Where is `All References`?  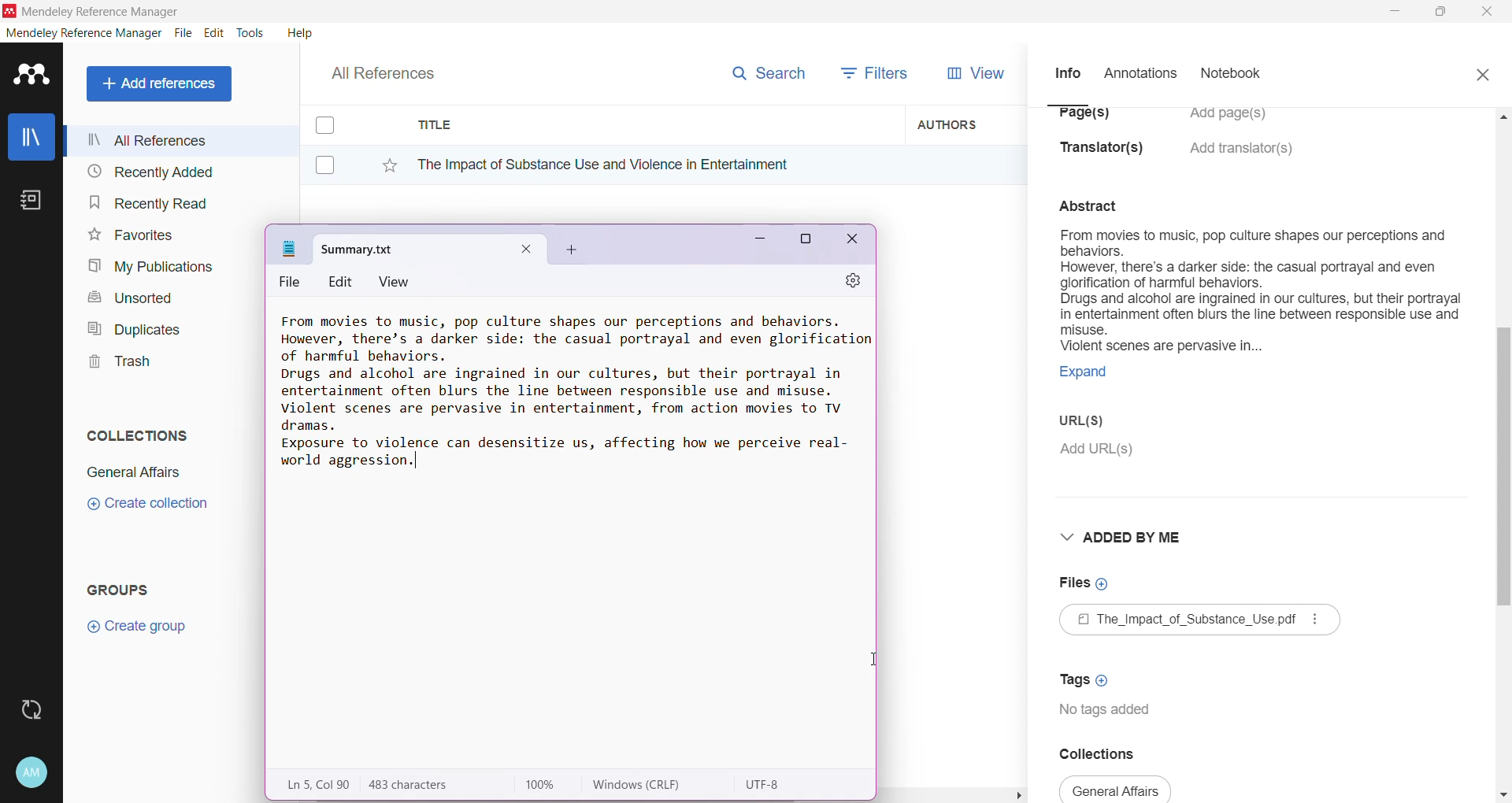
All References is located at coordinates (394, 69).